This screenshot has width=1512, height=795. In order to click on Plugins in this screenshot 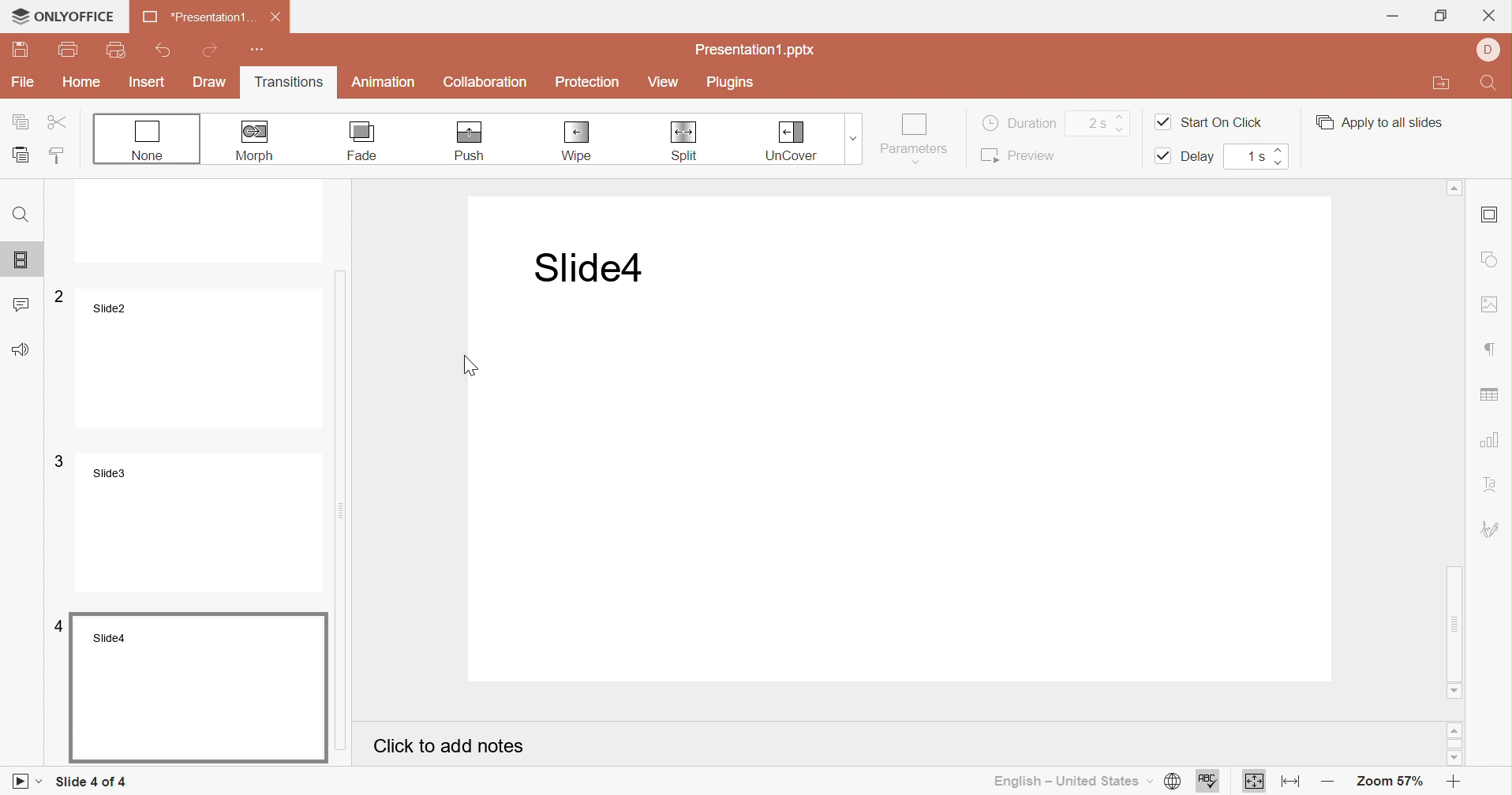, I will do `click(728, 81)`.